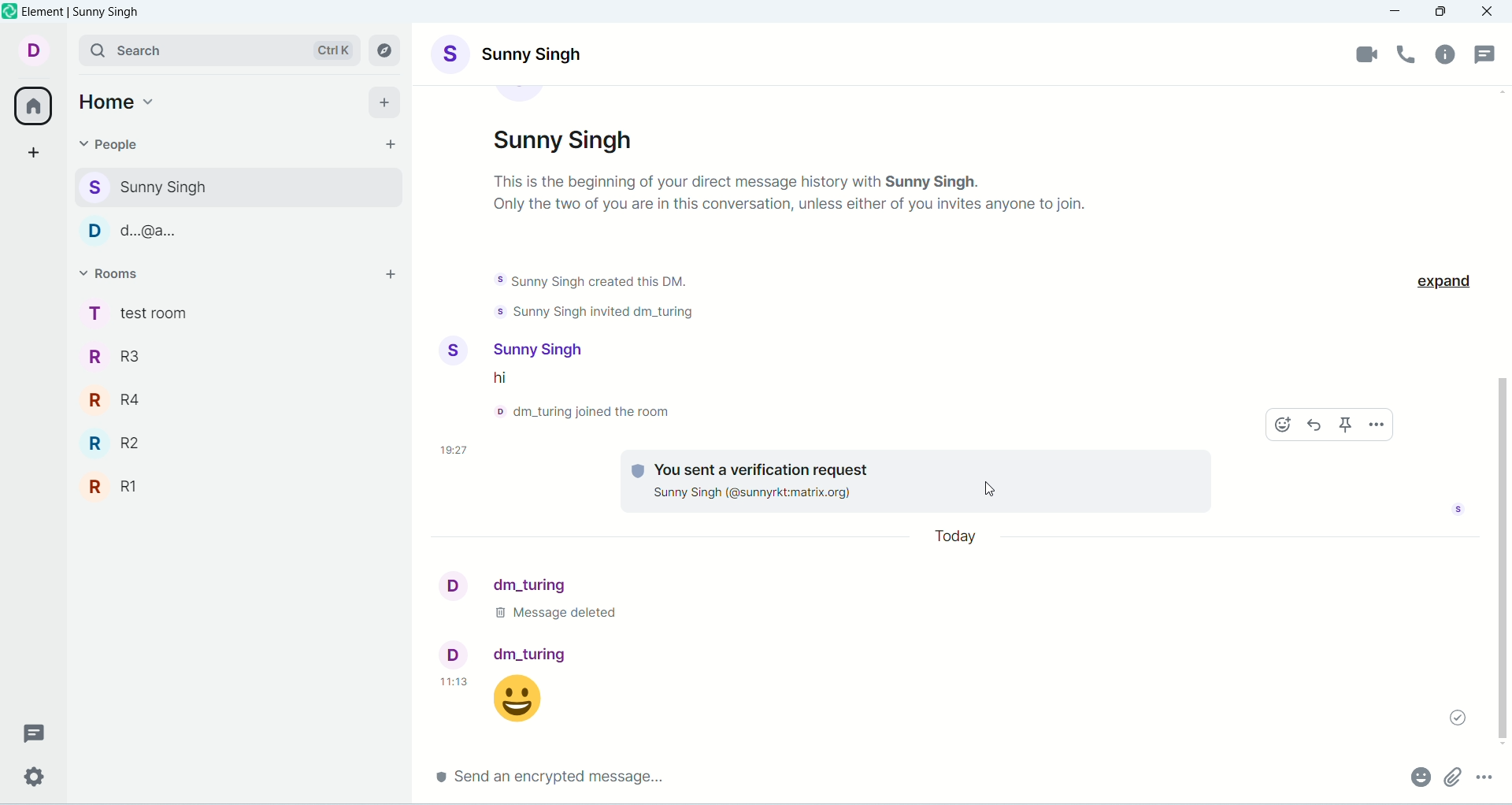 The width and height of the screenshot is (1512, 805). What do you see at coordinates (541, 349) in the screenshot?
I see `sunny singh` at bounding box center [541, 349].